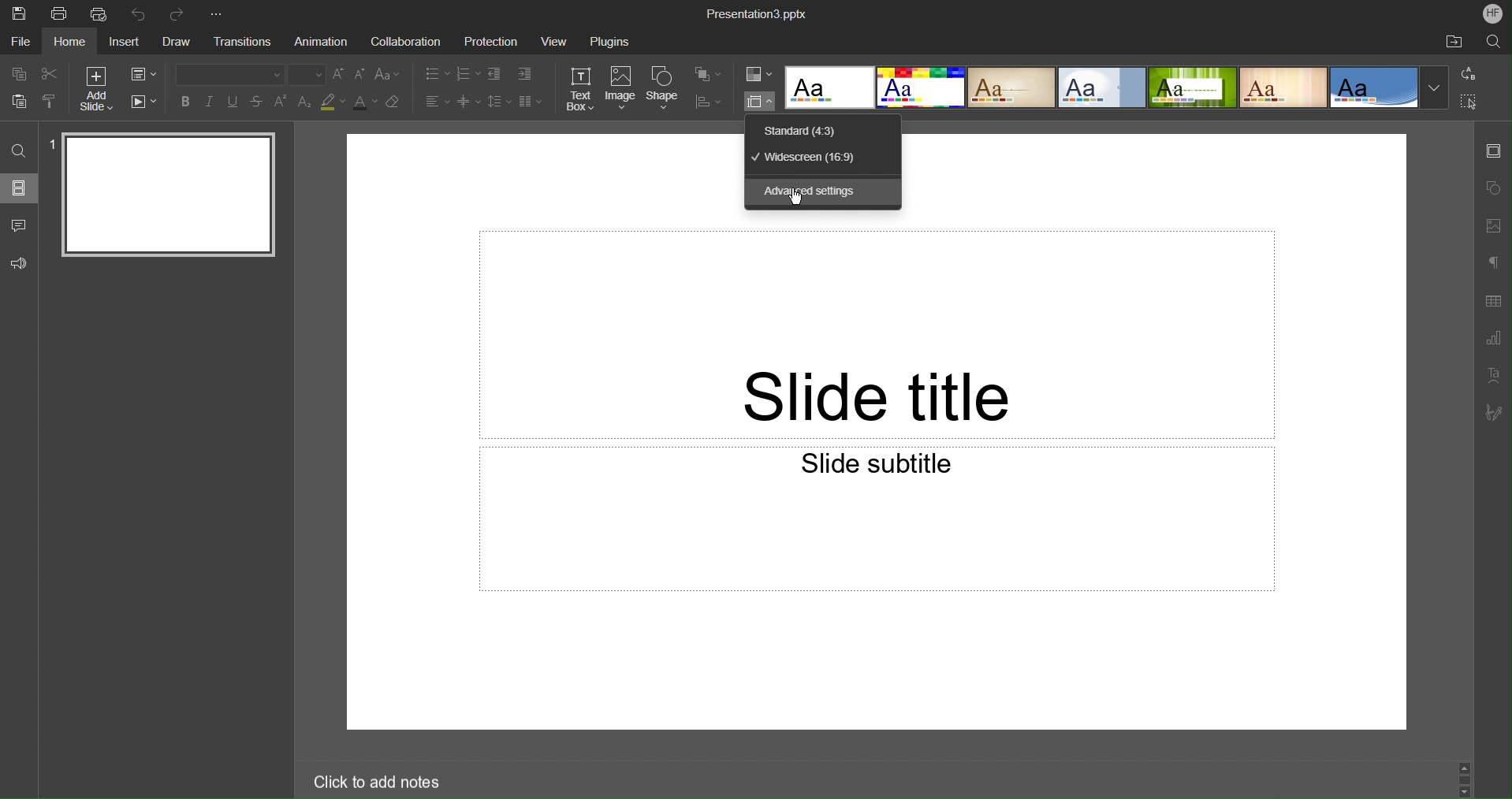  I want to click on Find, so click(18, 151).